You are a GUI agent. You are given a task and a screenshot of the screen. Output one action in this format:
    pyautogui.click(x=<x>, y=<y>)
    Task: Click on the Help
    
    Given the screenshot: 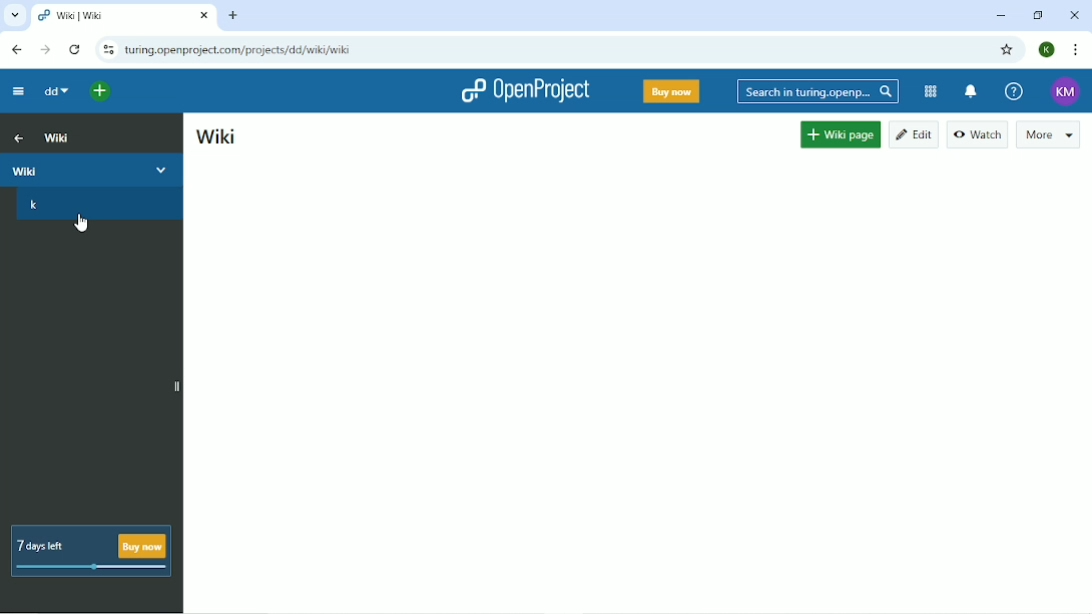 What is the action you would take?
    pyautogui.click(x=1012, y=90)
    